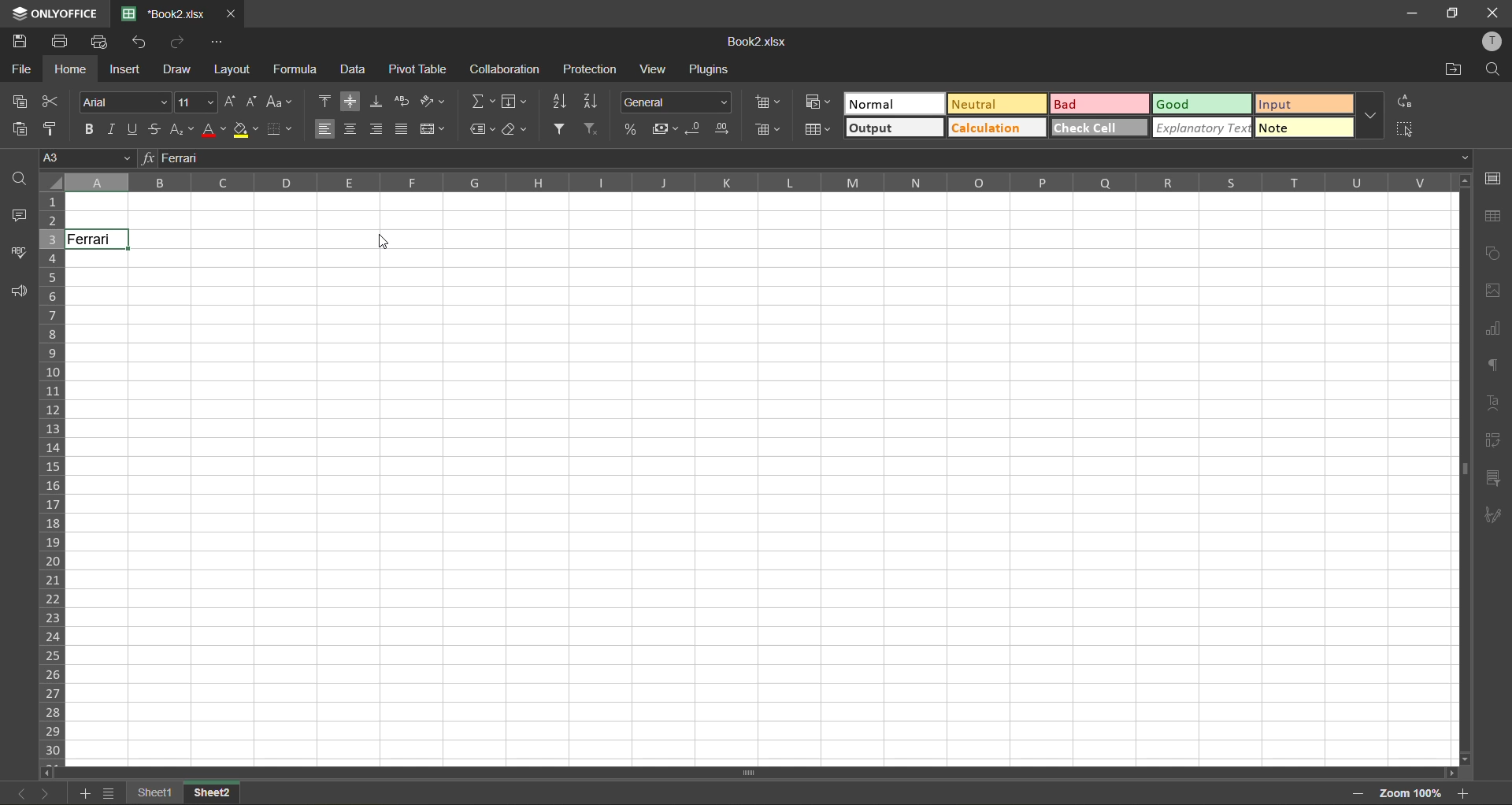 Image resolution: width=1512 pixels, height=805 pixels. Describe the element at coordinates (324, 129) in the screenshot. I see `align left` at that location.